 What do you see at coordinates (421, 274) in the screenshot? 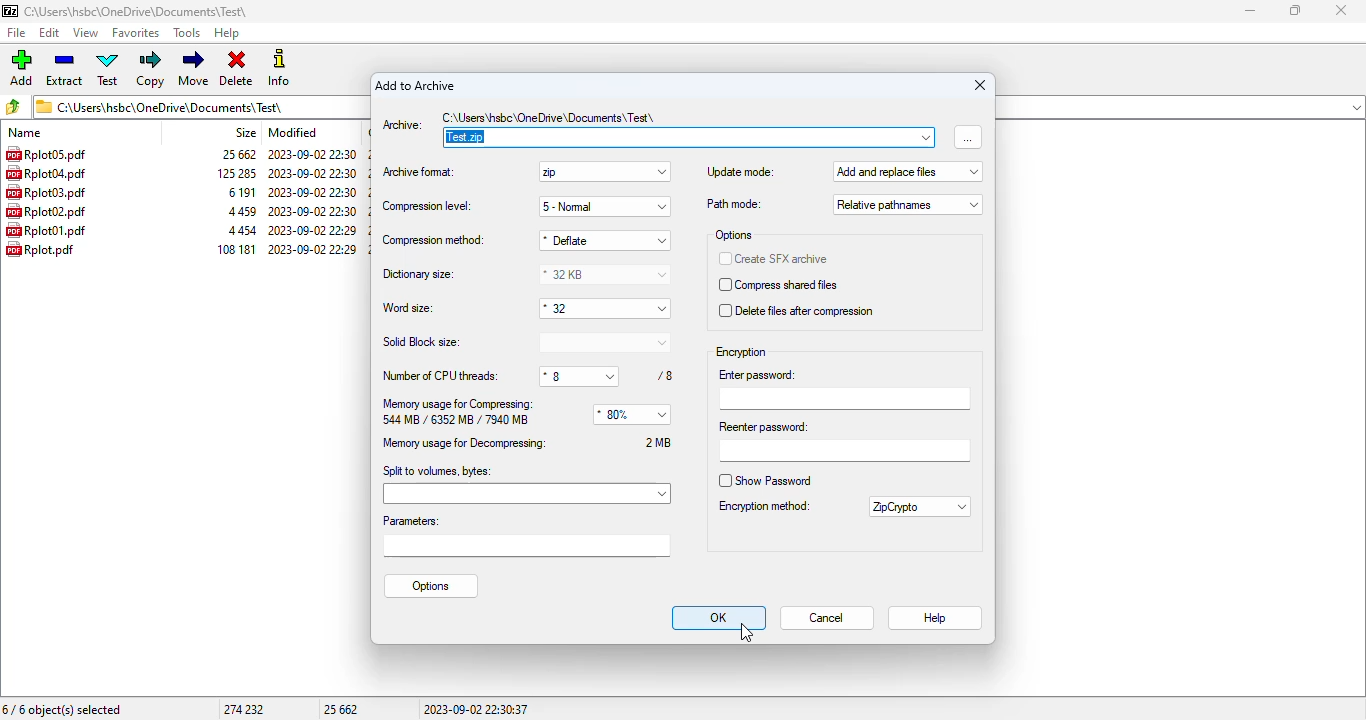
I see `dictionary size:` at bounding box center [421, 274].